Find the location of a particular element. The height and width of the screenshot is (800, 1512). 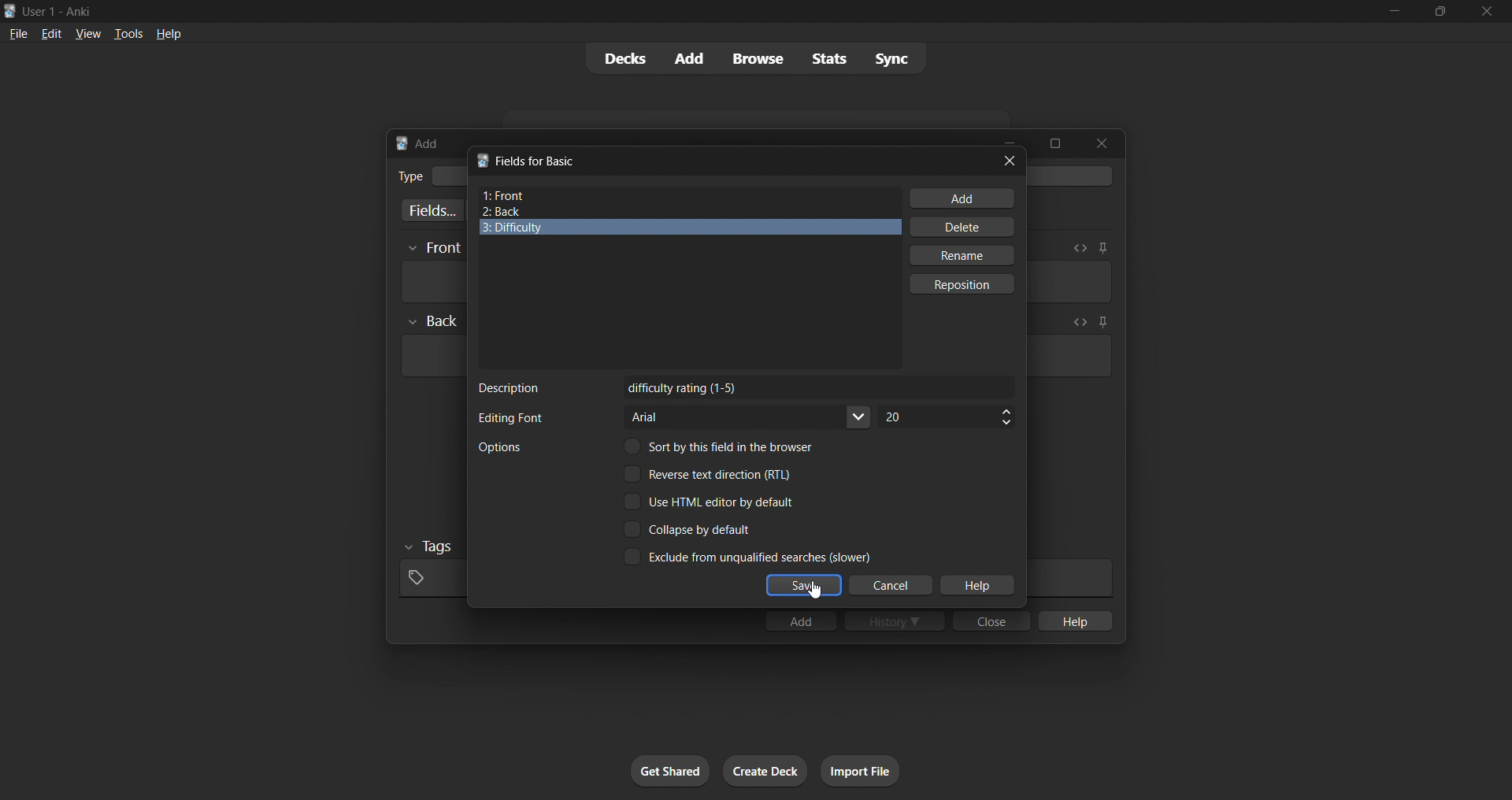

difficulty field is located at coordinates (690, 228).